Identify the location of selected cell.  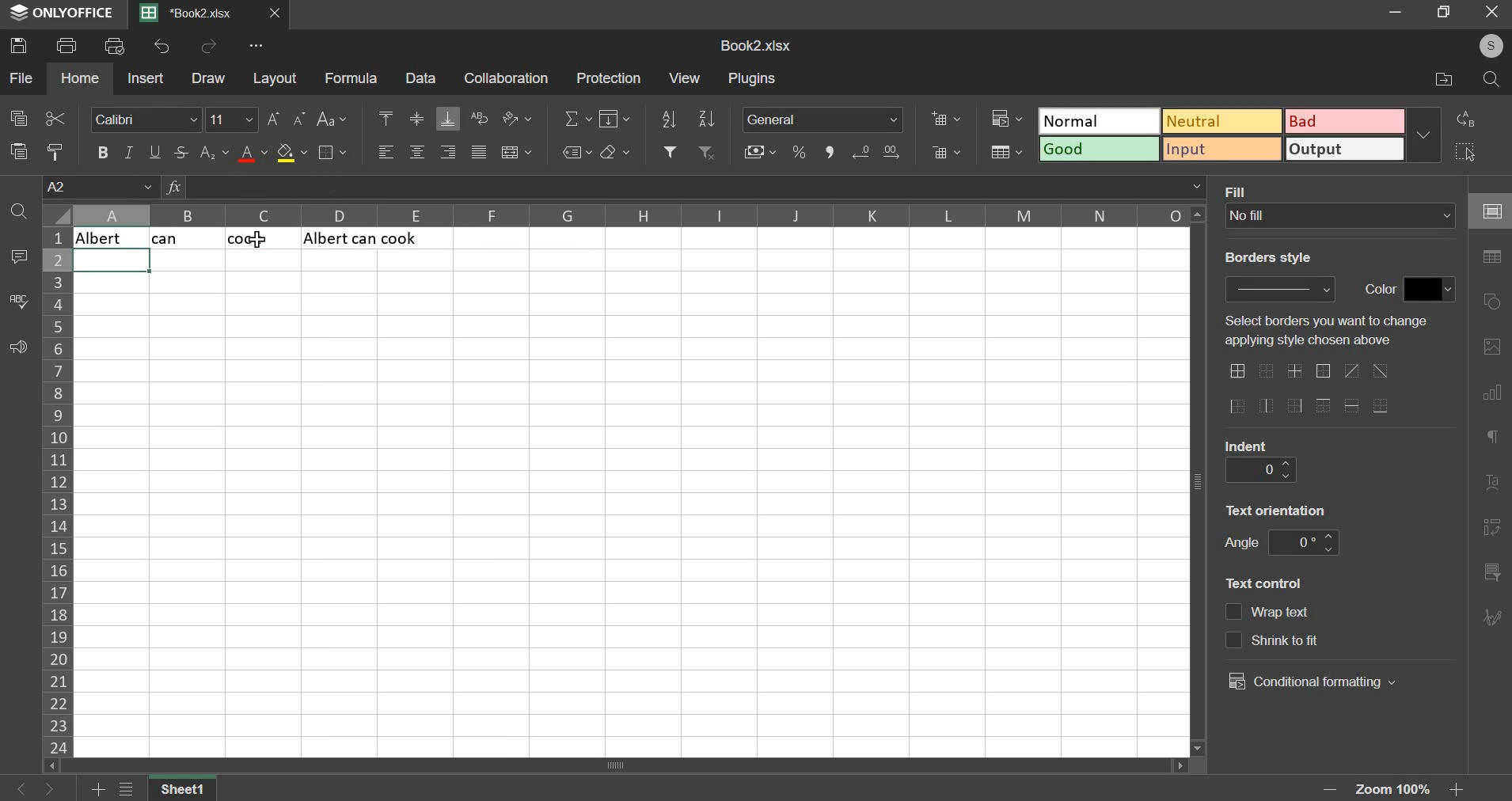
(111, 261).